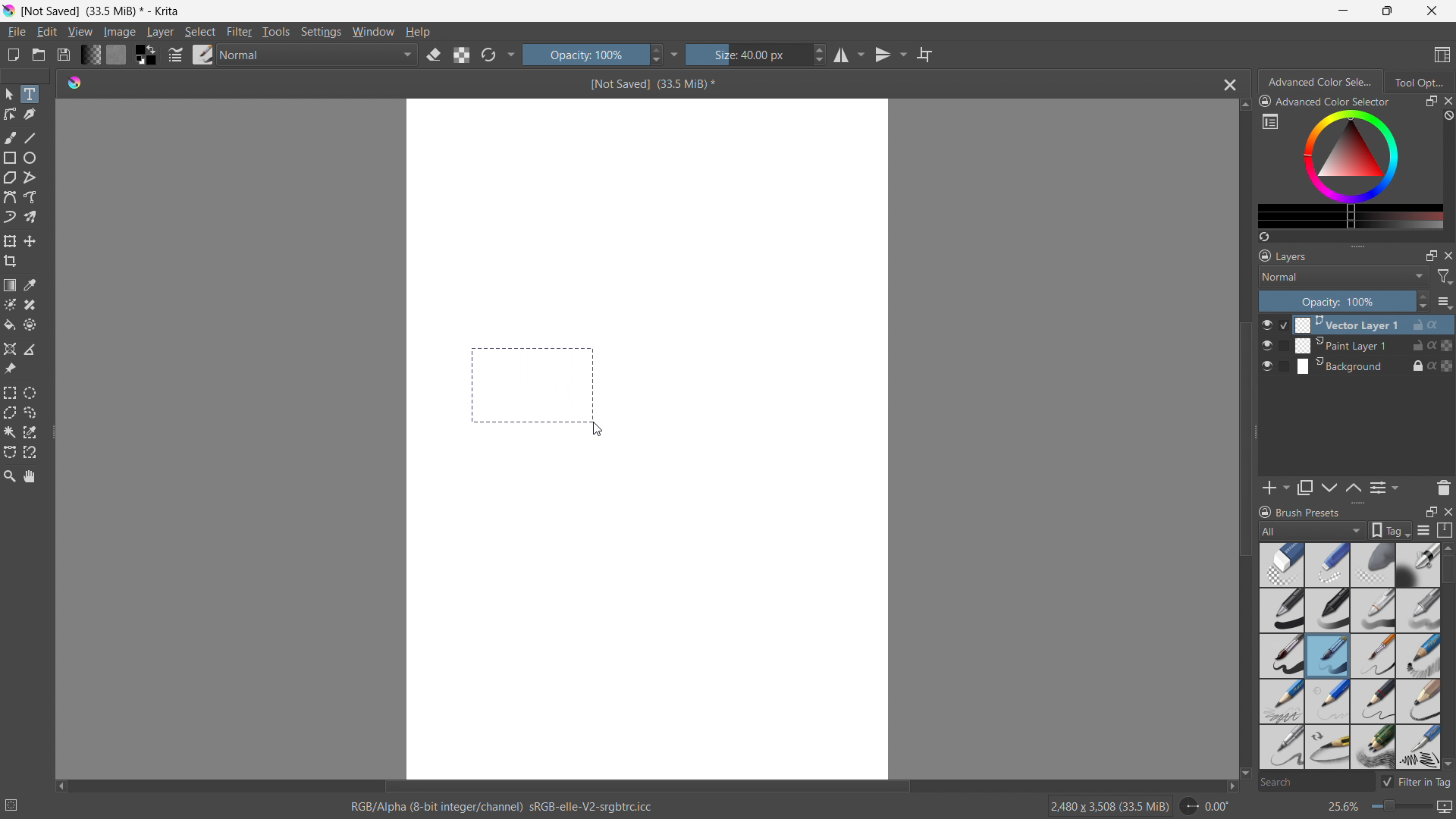 This screenshot has height=819, width=1456. What do you see at coordinates (10, 197) in the screenshot?
I see `bezier curve tool` at bounding box center [10, 197].